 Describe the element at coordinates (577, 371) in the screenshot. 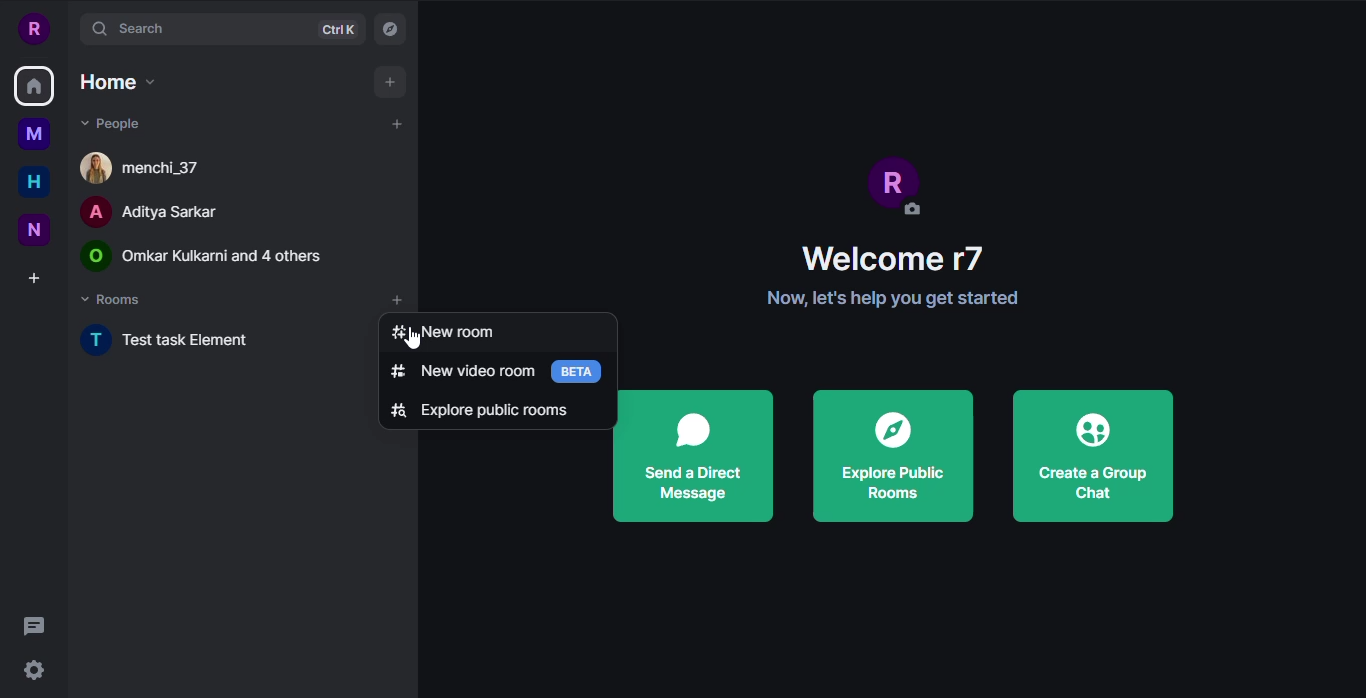

I see `beta` at that location.